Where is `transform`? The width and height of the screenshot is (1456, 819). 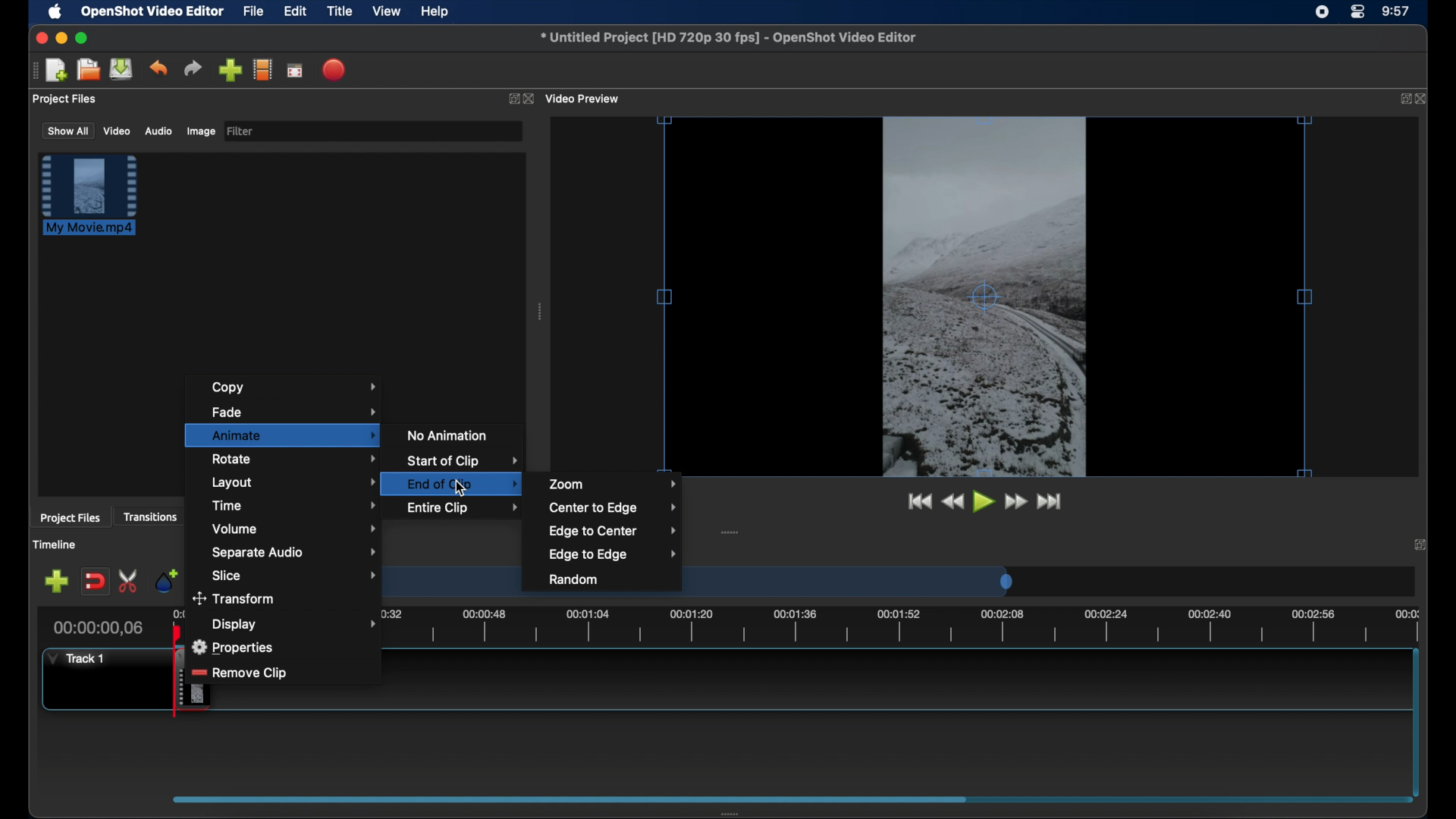 transform is located at coordinates (238, 598).